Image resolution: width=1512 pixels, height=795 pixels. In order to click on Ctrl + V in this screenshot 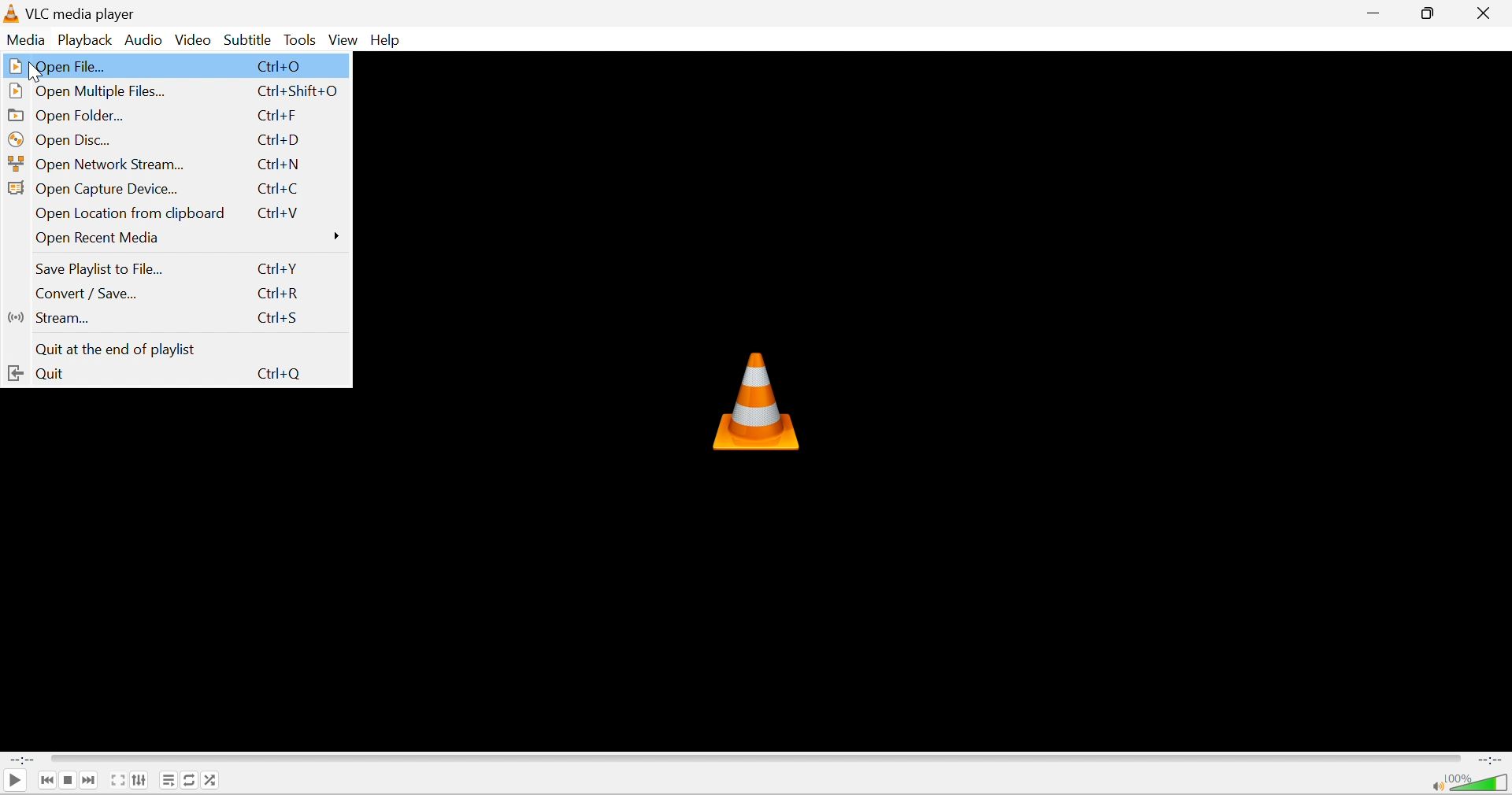, I will do `click(277, 213)`.